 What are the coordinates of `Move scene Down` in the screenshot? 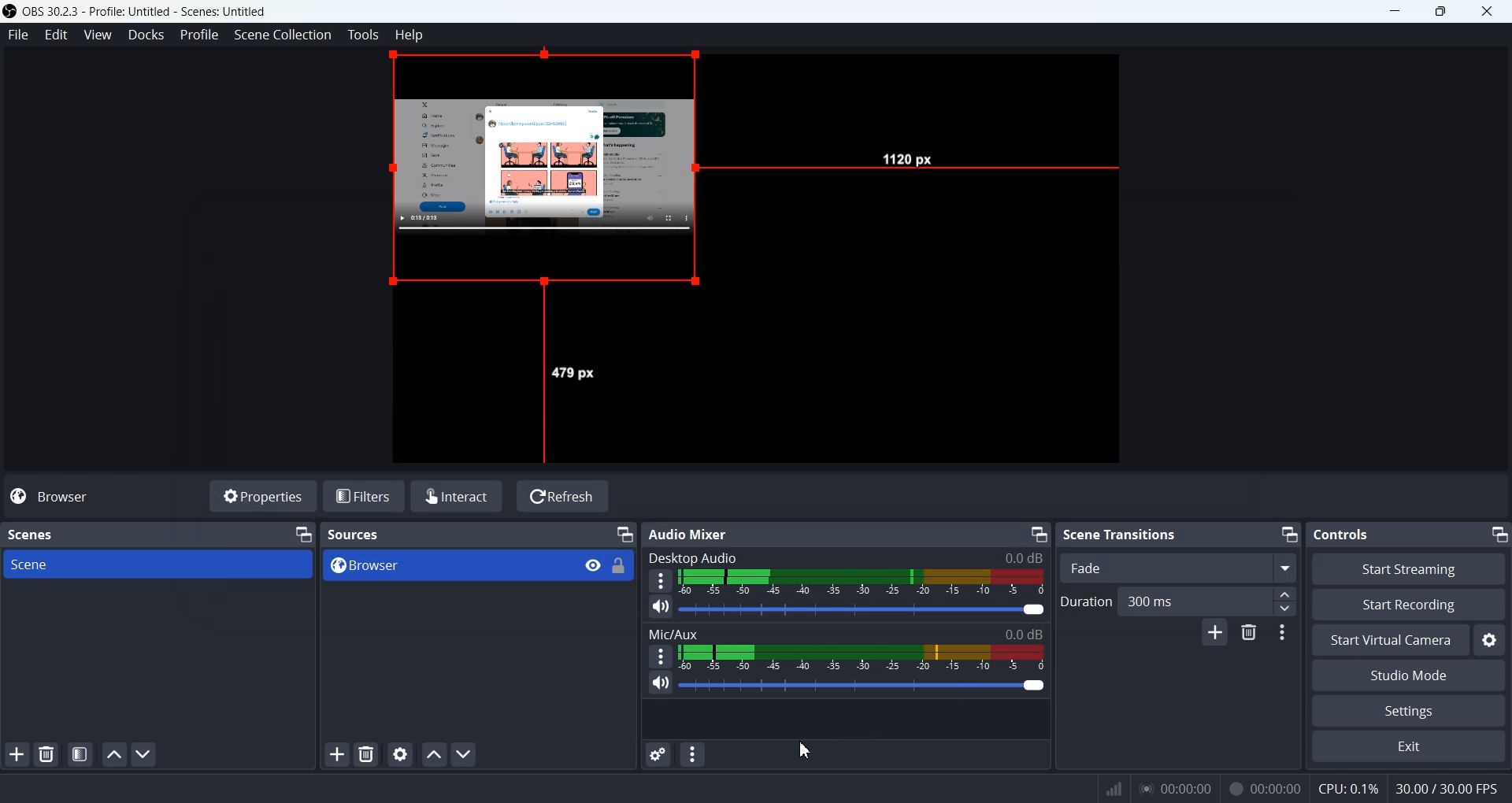 It's located at (145, 755).